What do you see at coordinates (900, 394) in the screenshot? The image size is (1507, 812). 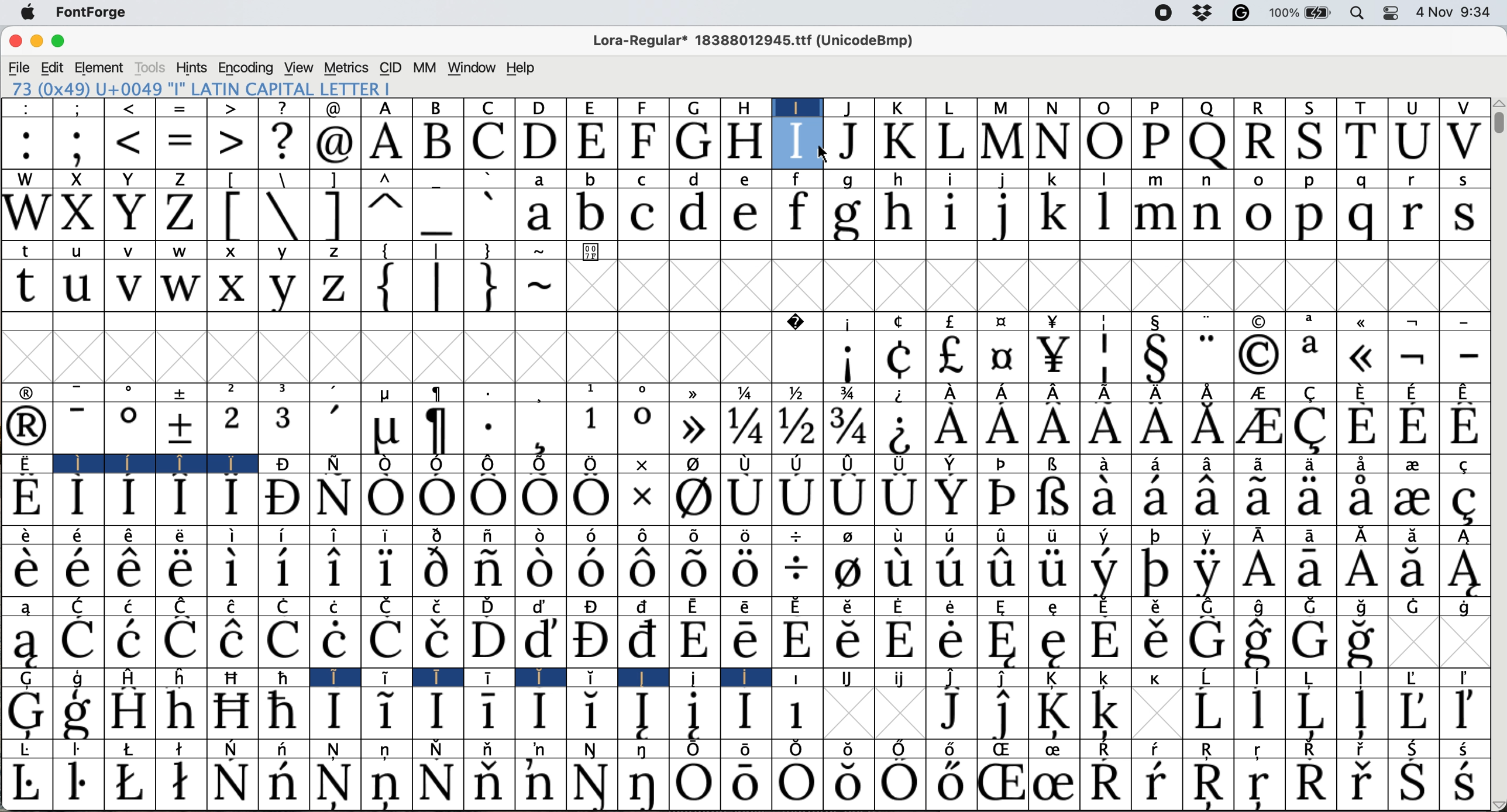 I see `symbol` at bounding box center [900, 394].